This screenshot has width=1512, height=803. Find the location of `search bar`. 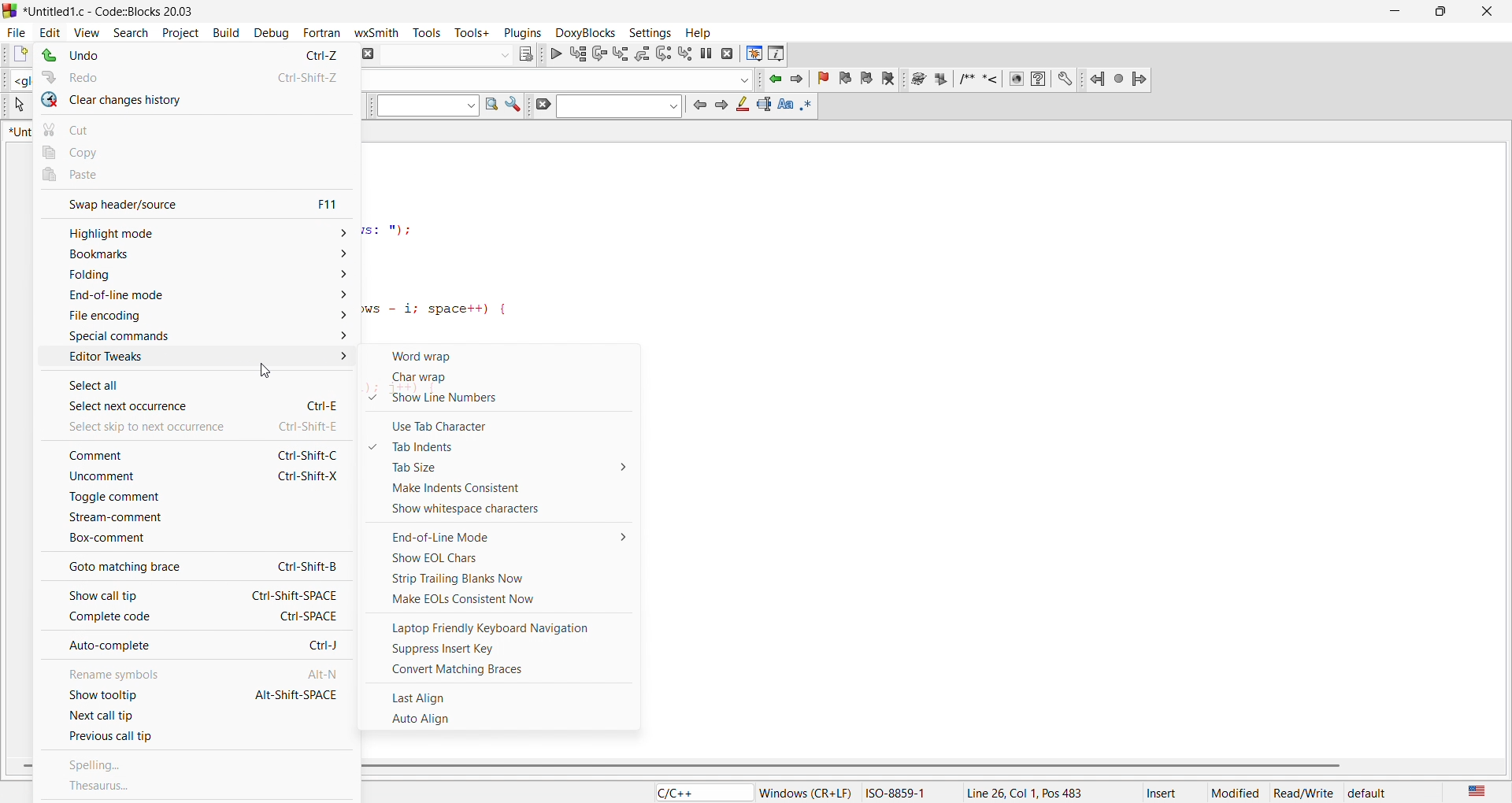

search bar is located at coordinates (618, 108).